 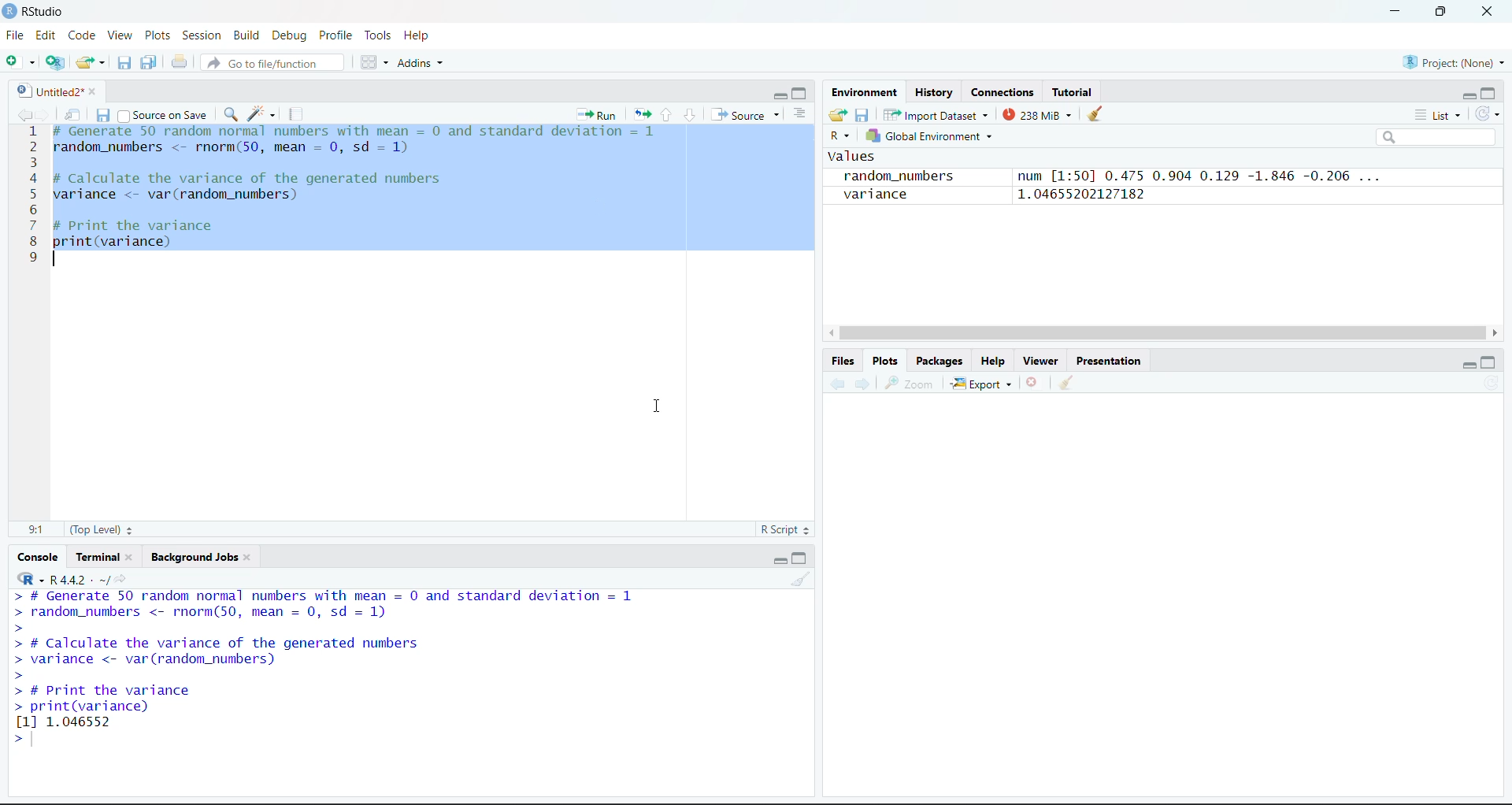 What do you see at coordinates (839, 115) in the screenshot?
I see `open folder` at bounding box center [839, 115].